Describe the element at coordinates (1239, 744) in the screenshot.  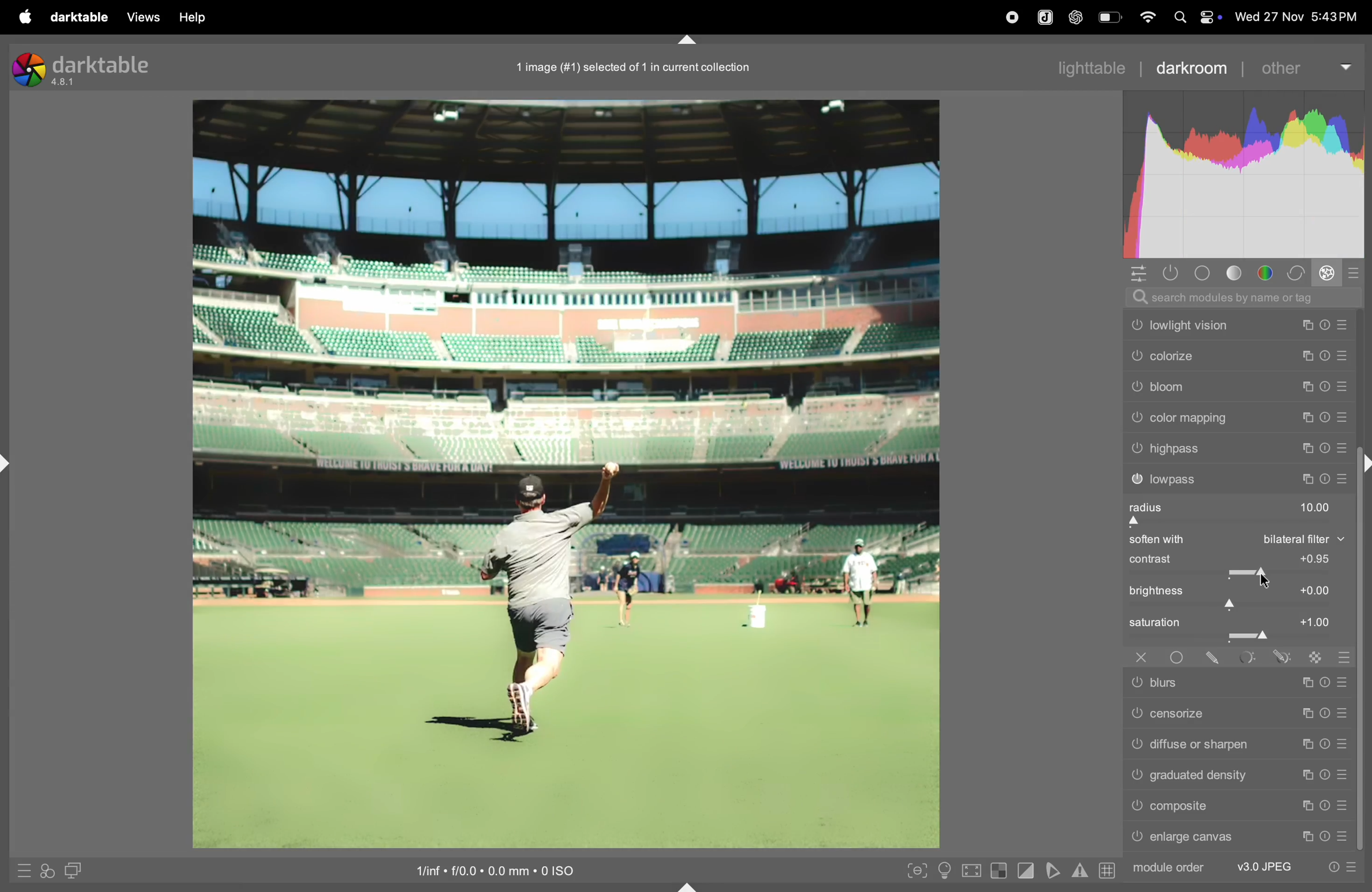
I see `diffuse or sharpen` at that location.